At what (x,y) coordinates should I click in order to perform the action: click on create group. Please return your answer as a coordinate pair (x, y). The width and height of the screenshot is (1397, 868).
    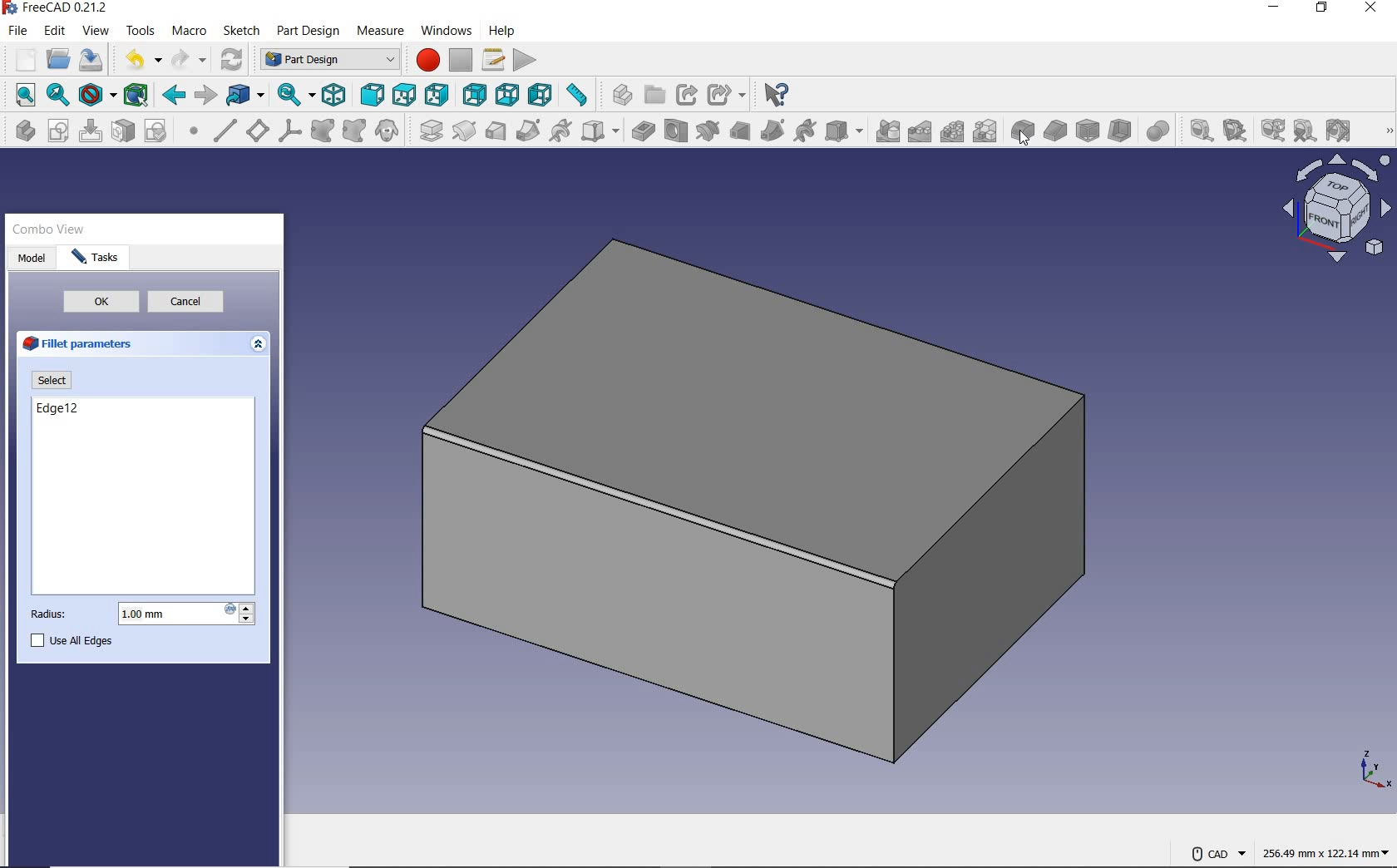
    Looking at the image, I should click on (653, 96).